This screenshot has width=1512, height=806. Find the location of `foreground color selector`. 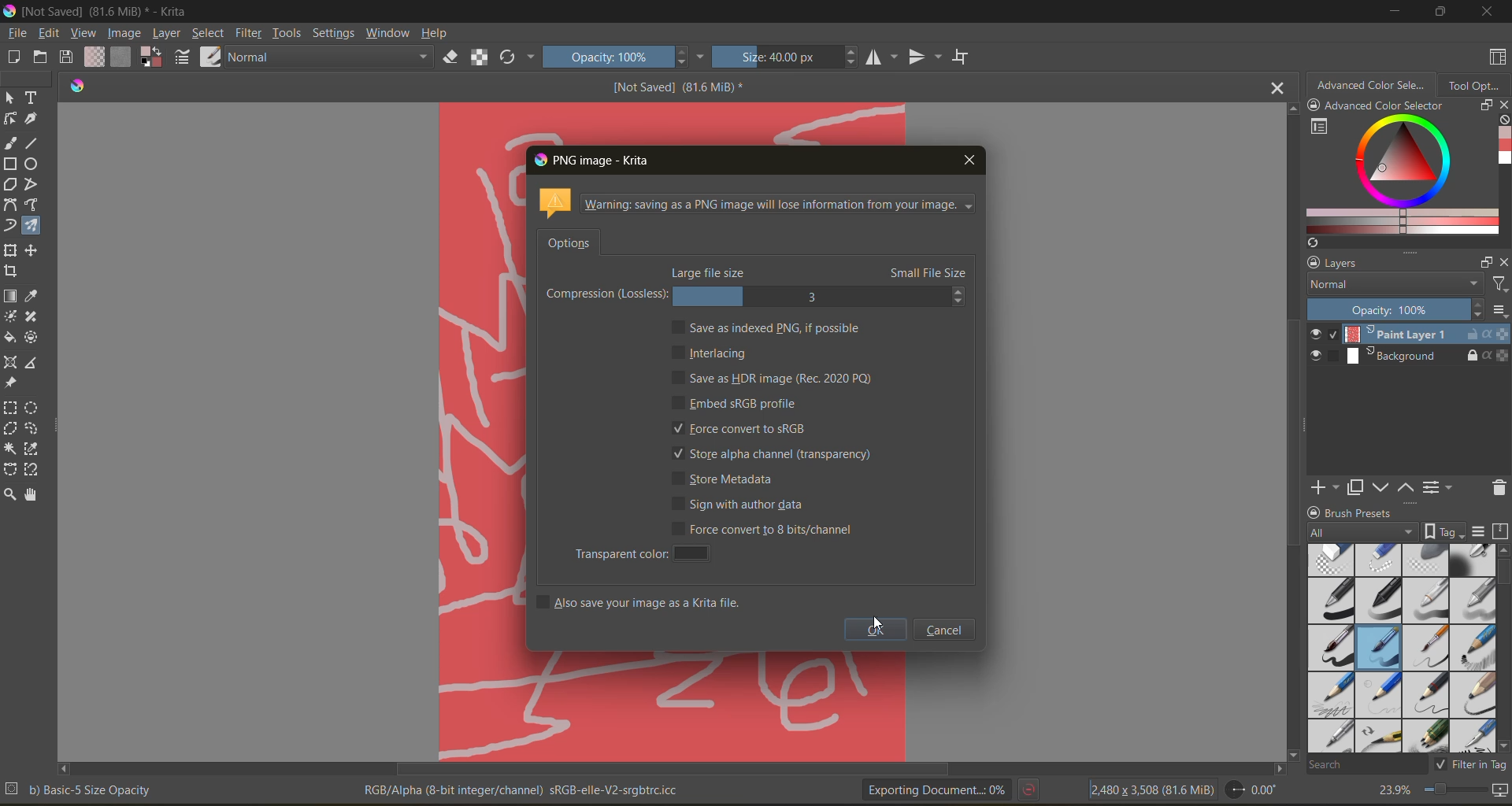

foreground color selector is located at coordinates (150, 59).